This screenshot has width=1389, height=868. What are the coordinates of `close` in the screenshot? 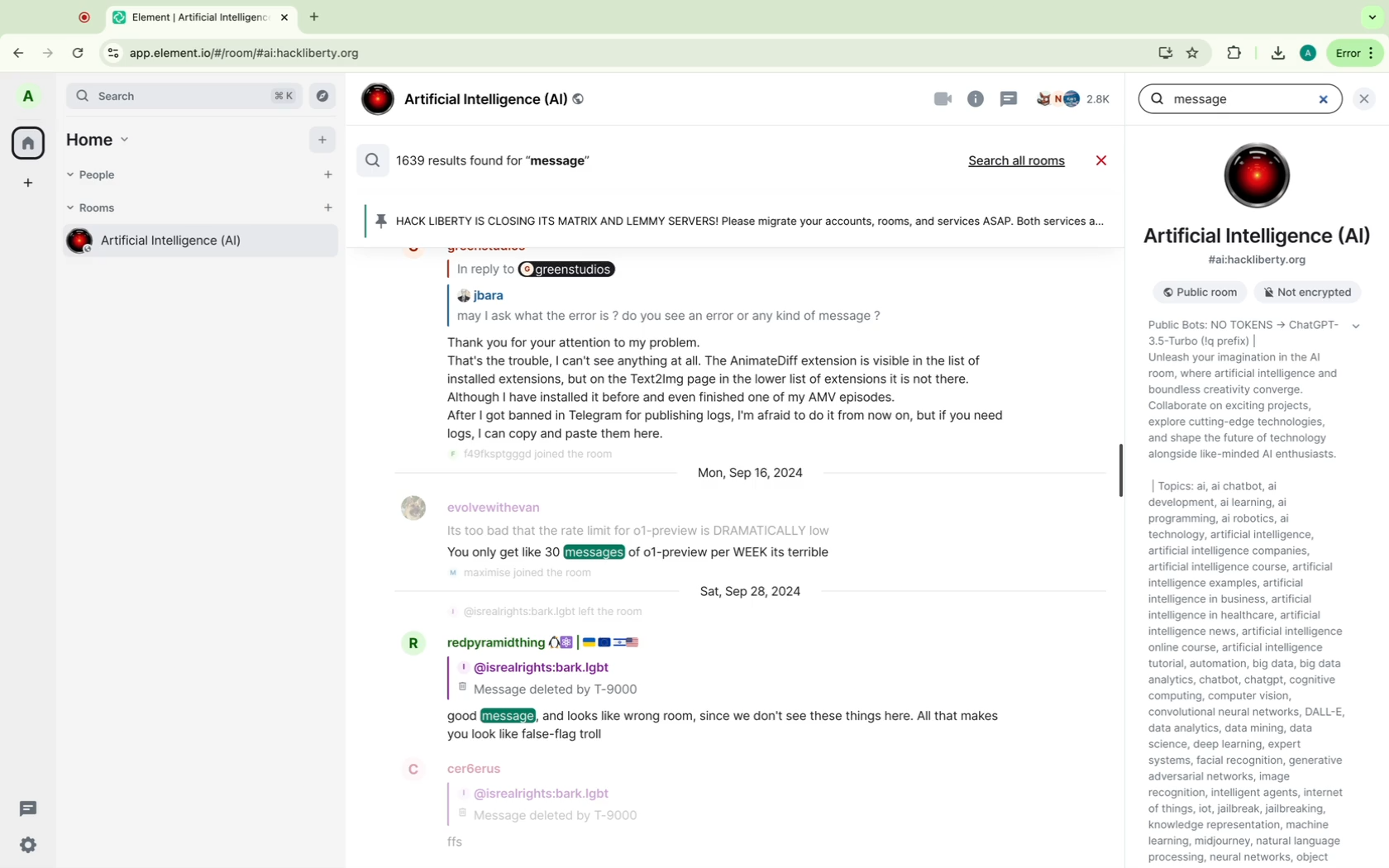 It's located at (1105, 162).